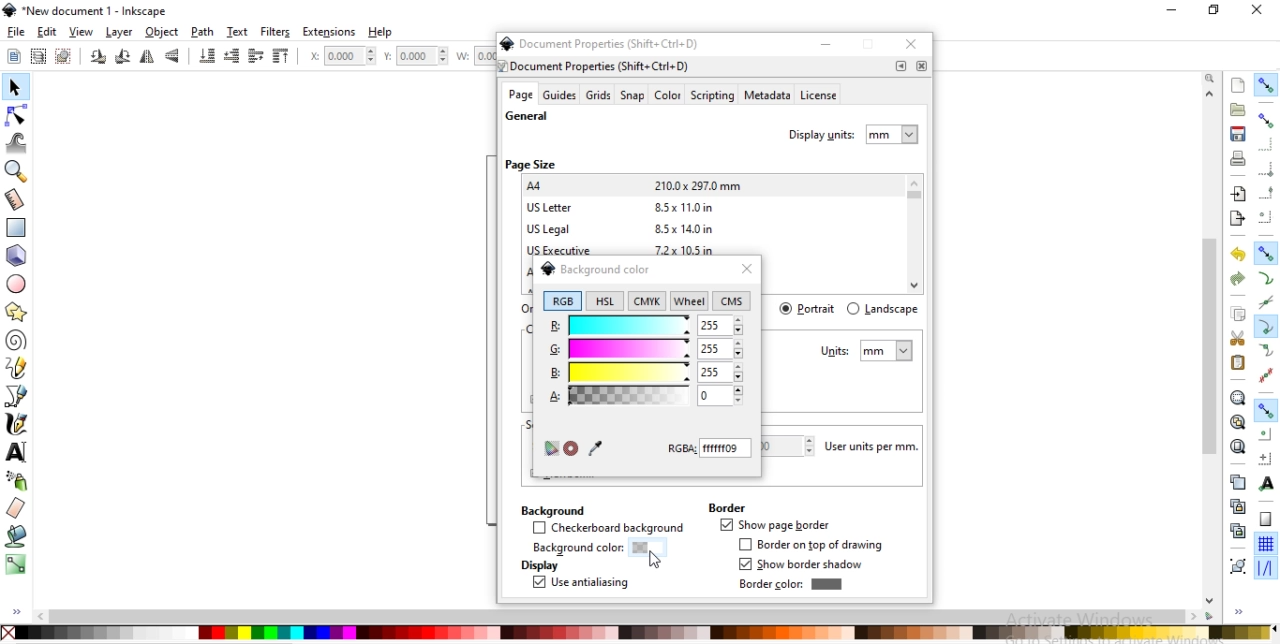  Describe the element at coordinates (645, 324) in the screenshot. I see `r` at that location.